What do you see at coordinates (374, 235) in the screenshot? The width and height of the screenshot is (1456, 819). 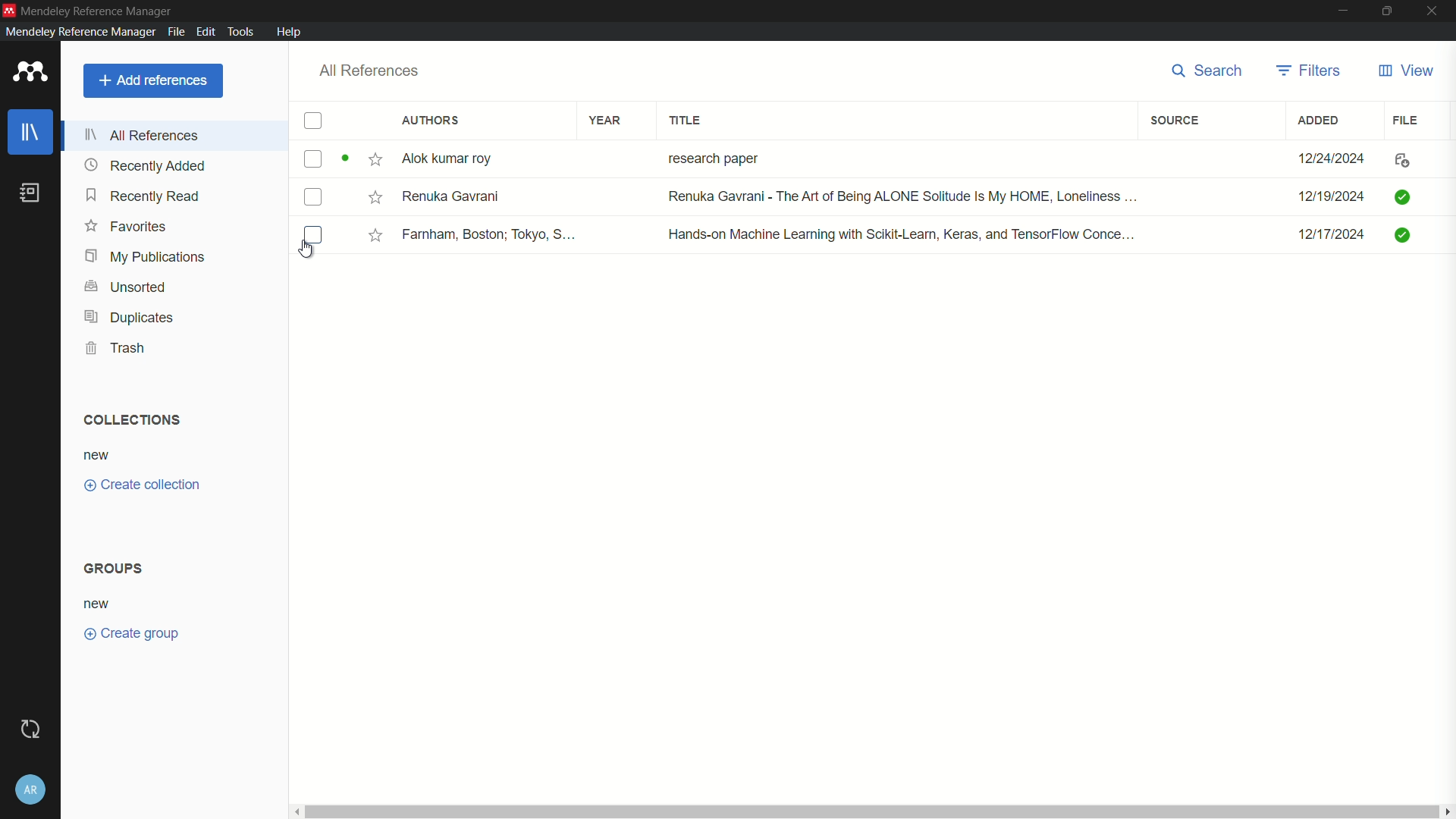 I see `Mark it star` at bounding box center [374, 235].